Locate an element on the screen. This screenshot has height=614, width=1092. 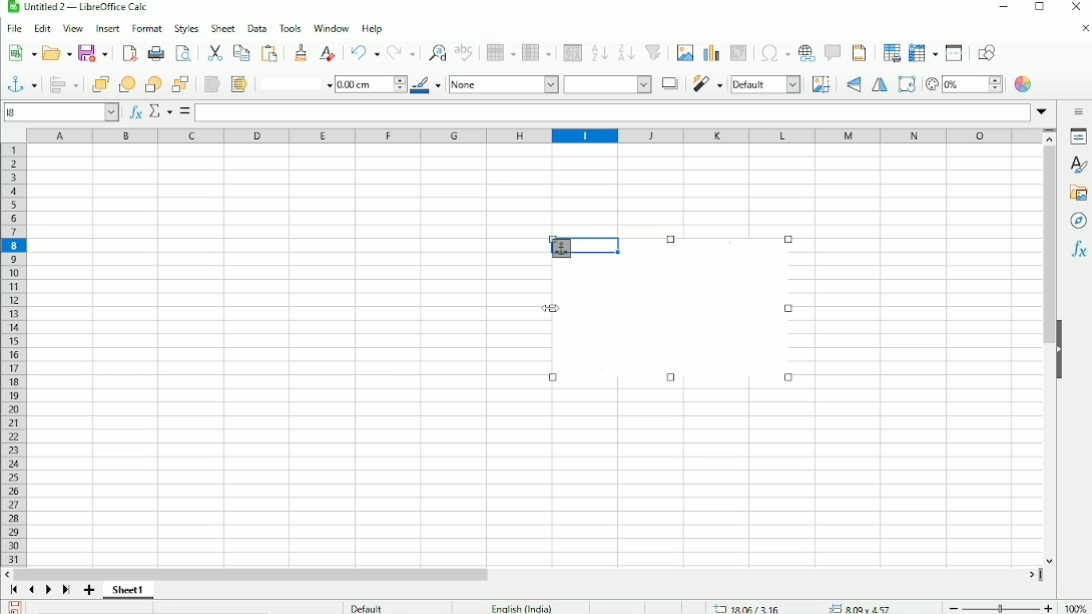
Select function is located at coordinates (159, 111).